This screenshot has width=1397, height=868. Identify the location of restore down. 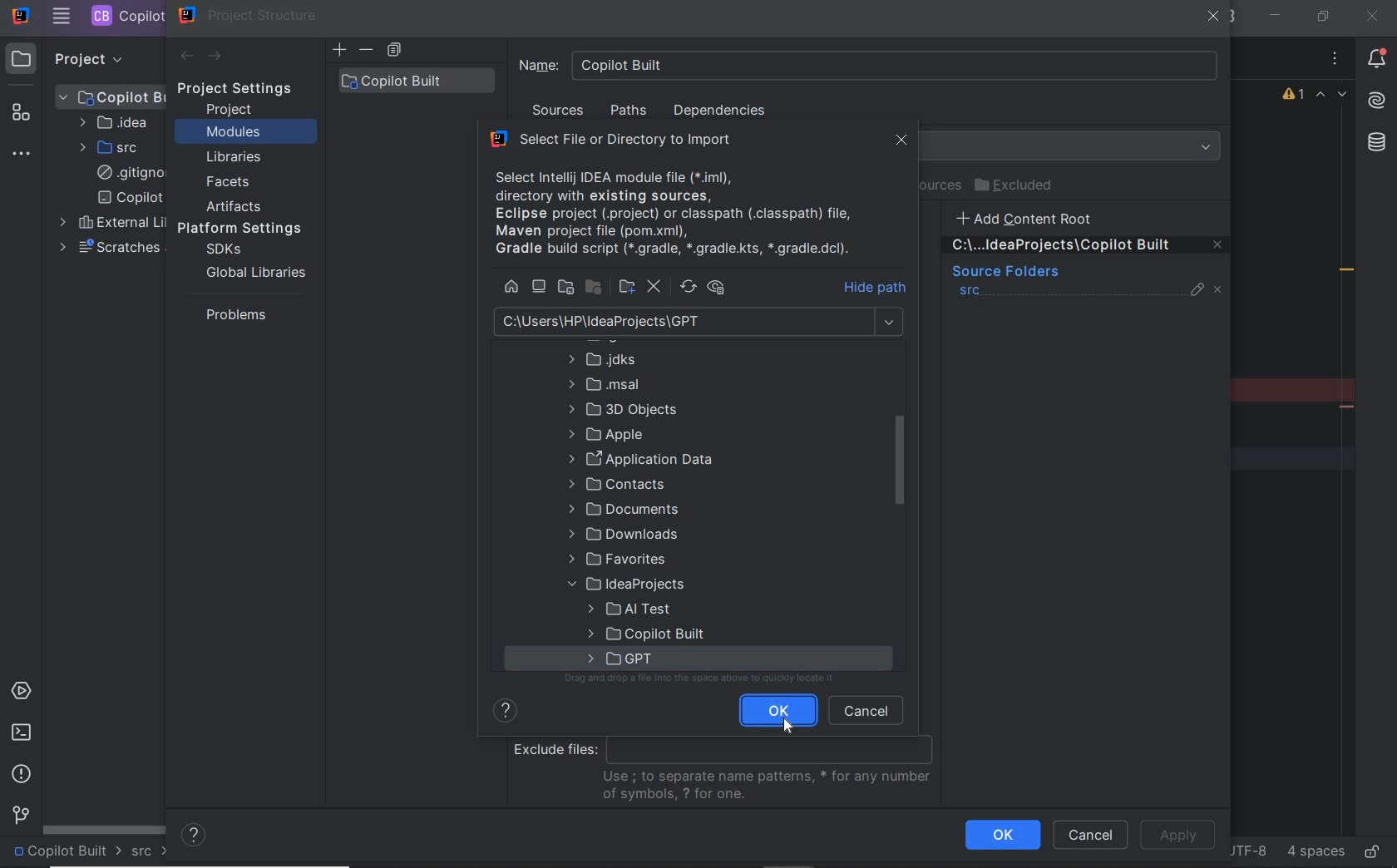
(1321, 16).